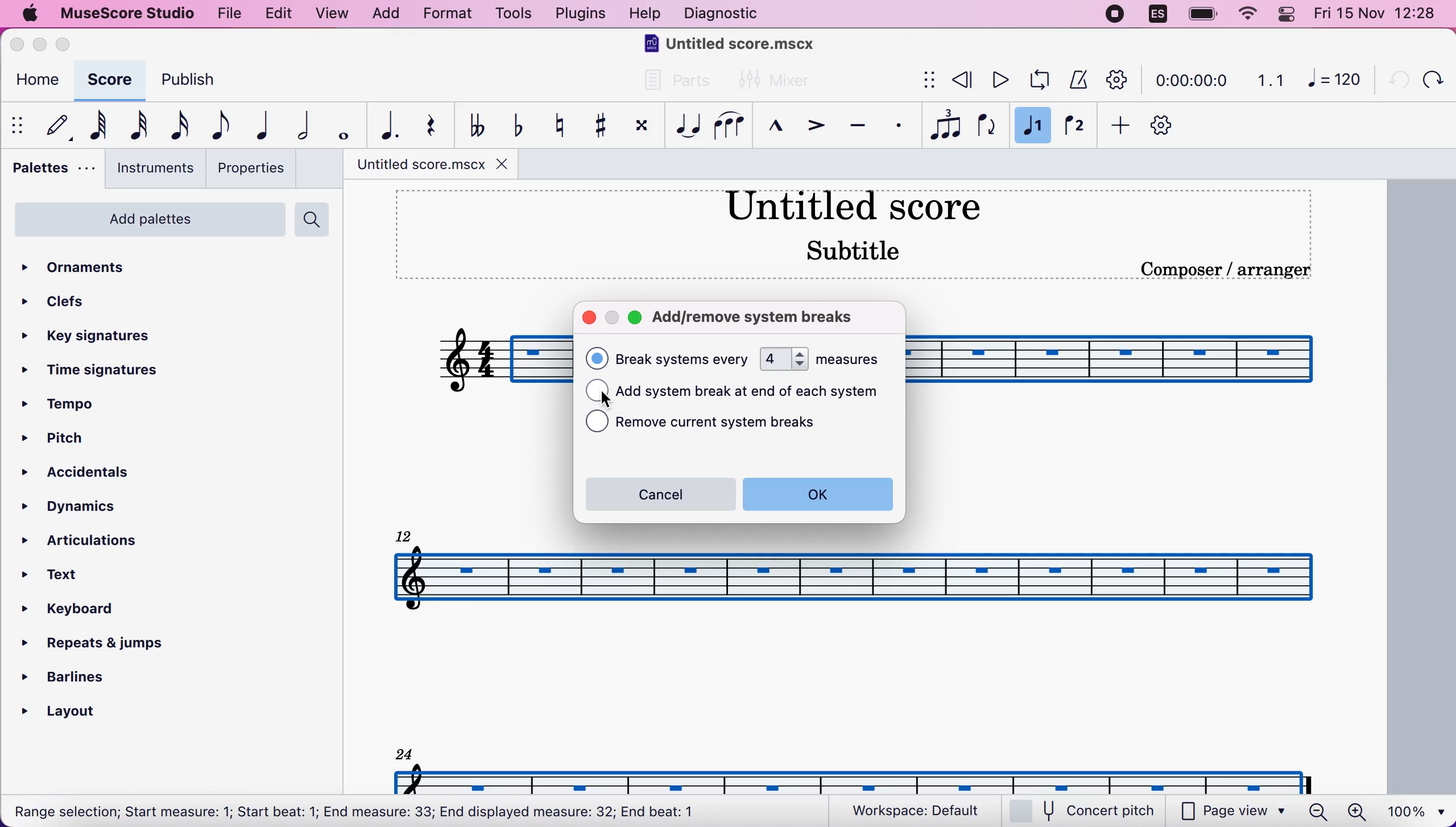  I want to click on format, so click(447, 15).